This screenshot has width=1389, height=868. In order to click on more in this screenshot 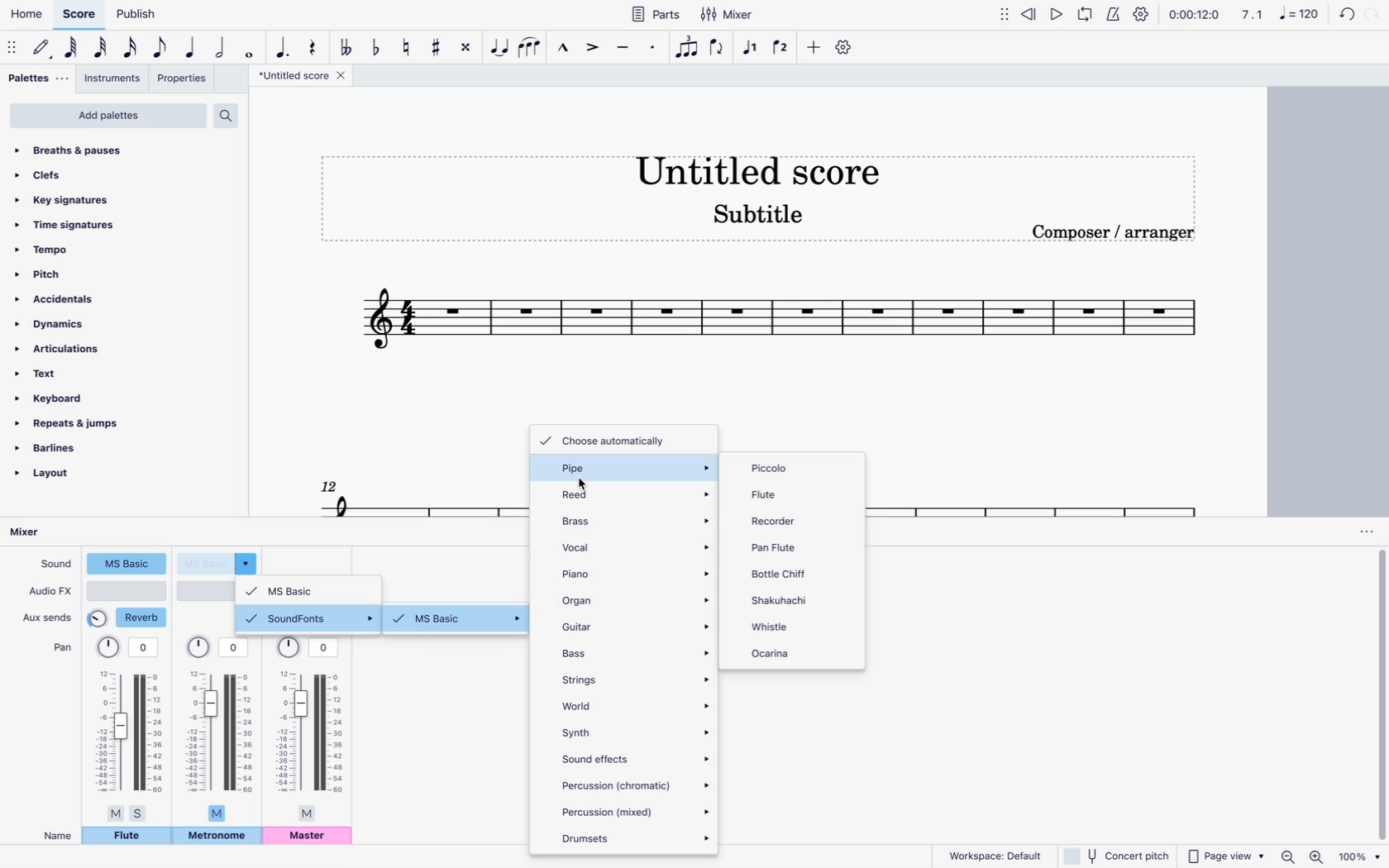, I will do `click(814, 48)`.